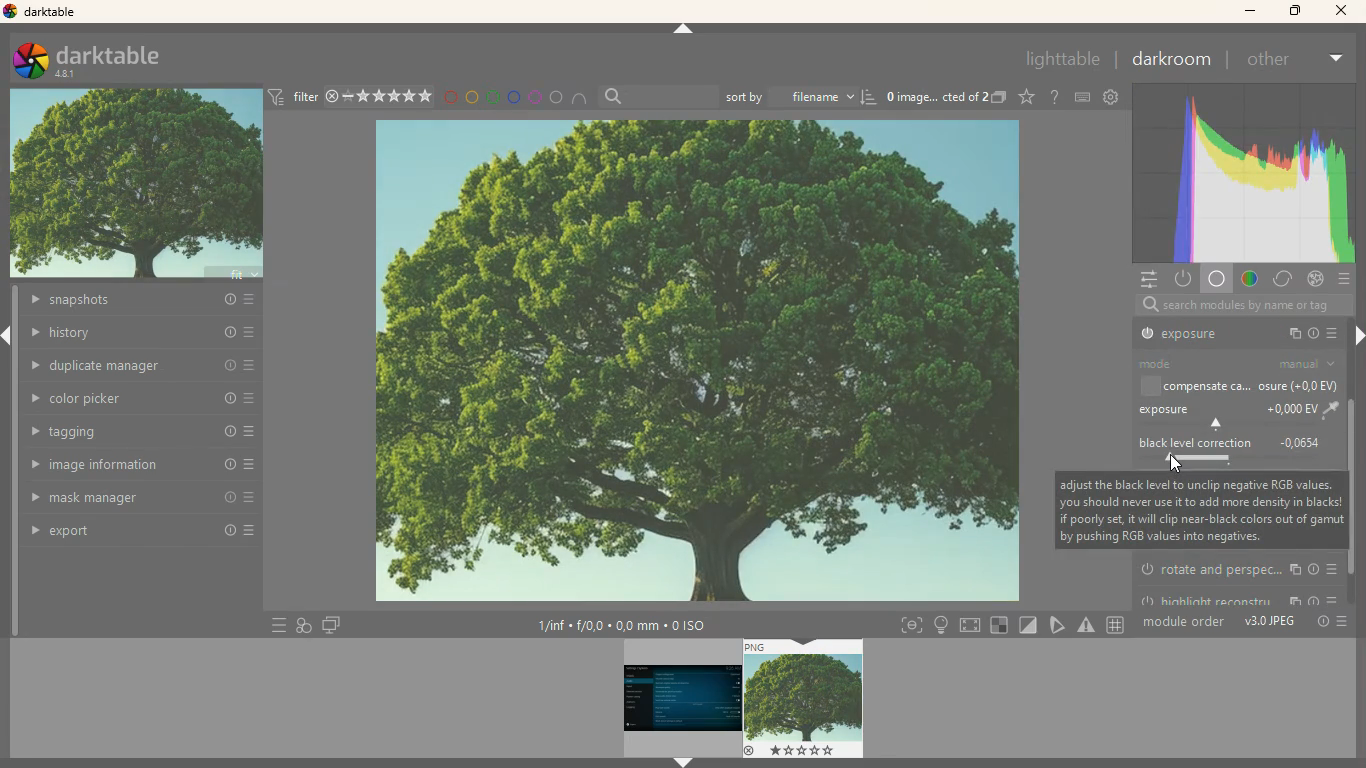 This screenshot has width=1366, height=768. I want to click on power, so click(1182, 279).